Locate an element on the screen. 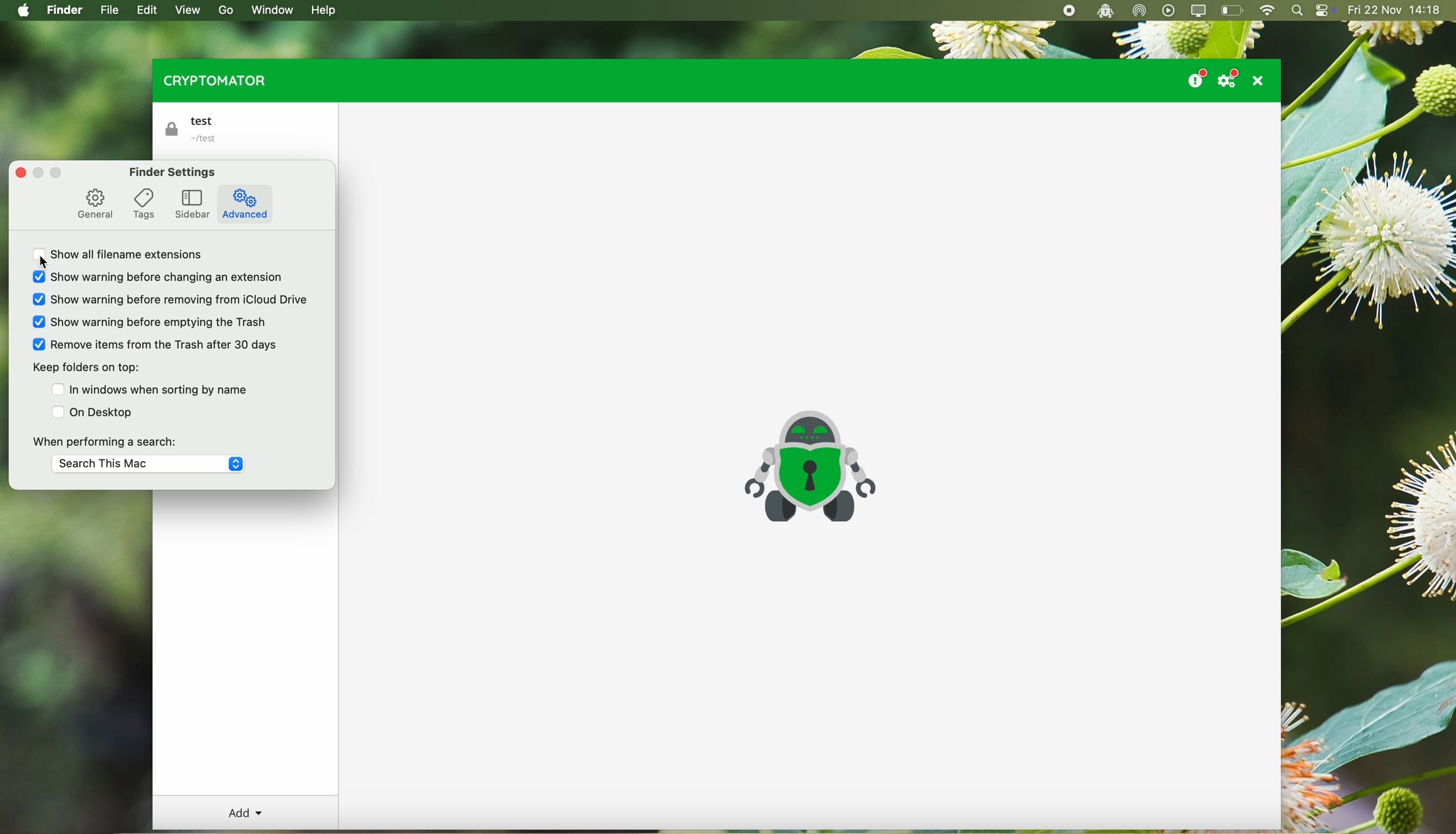  finder settings is located at coordinates (173, 172).